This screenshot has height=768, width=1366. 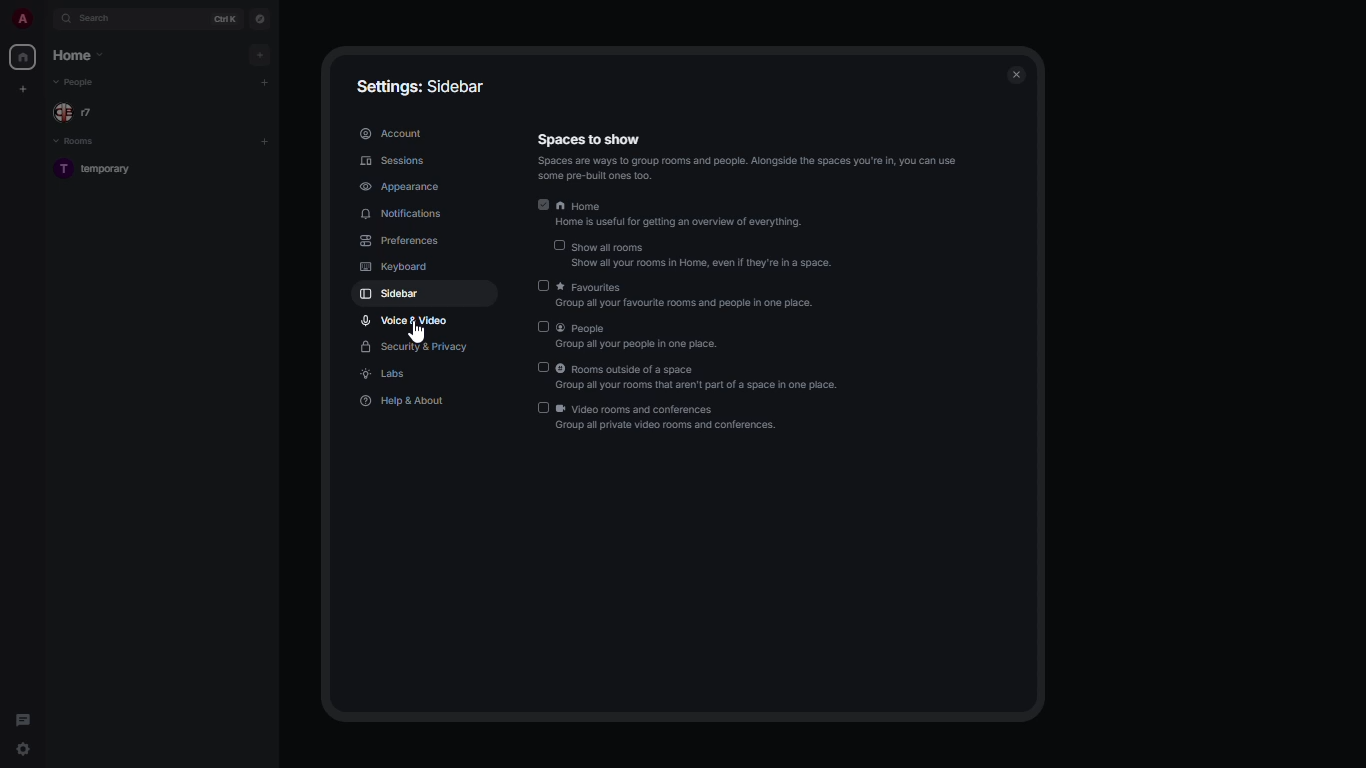 I want to click on sessions, so click(x=396, y=161).